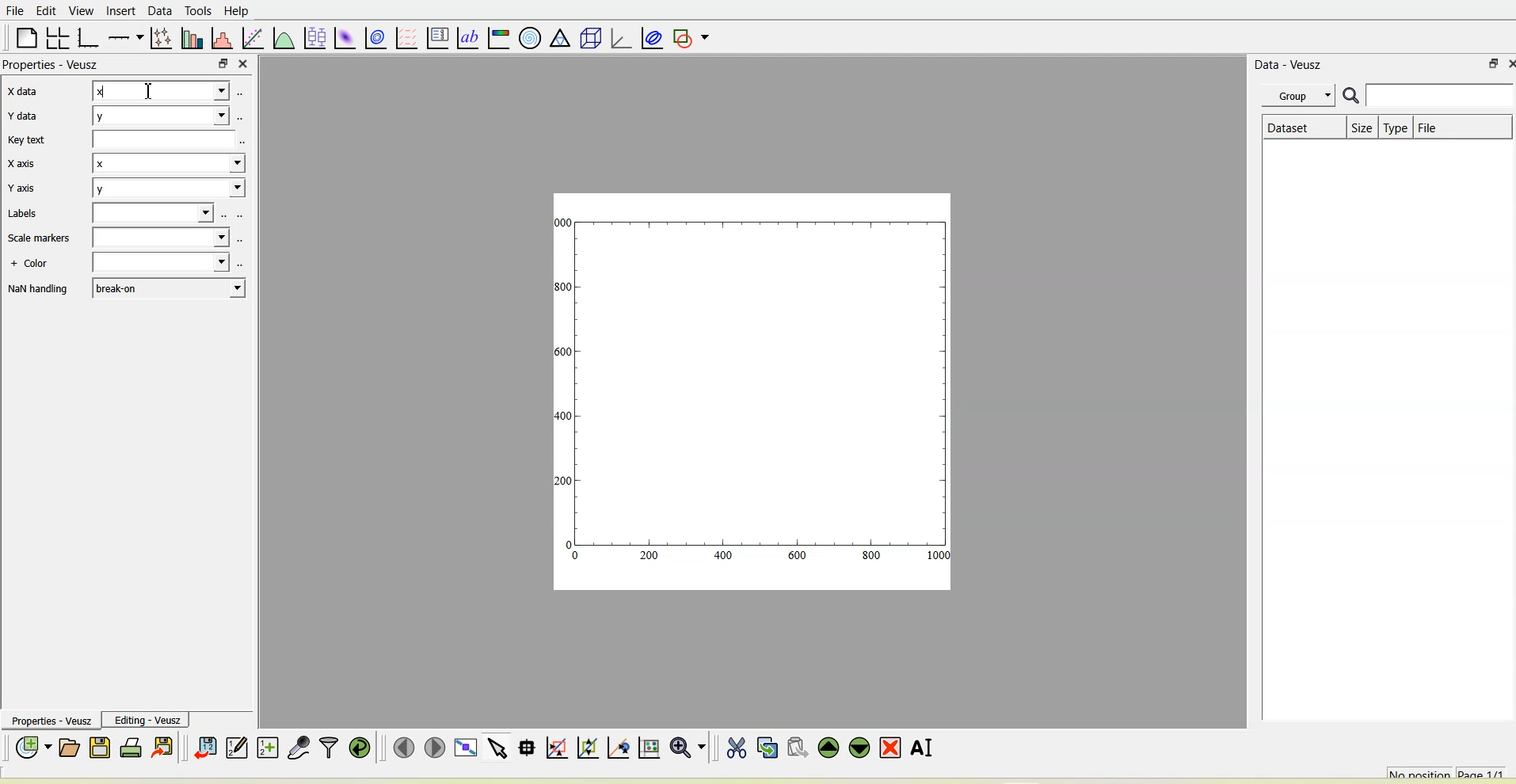  What do you see at coordinates (889, 748) in the screenshot?
I see `Remove the selected widget` at bounding box center [889, 748].